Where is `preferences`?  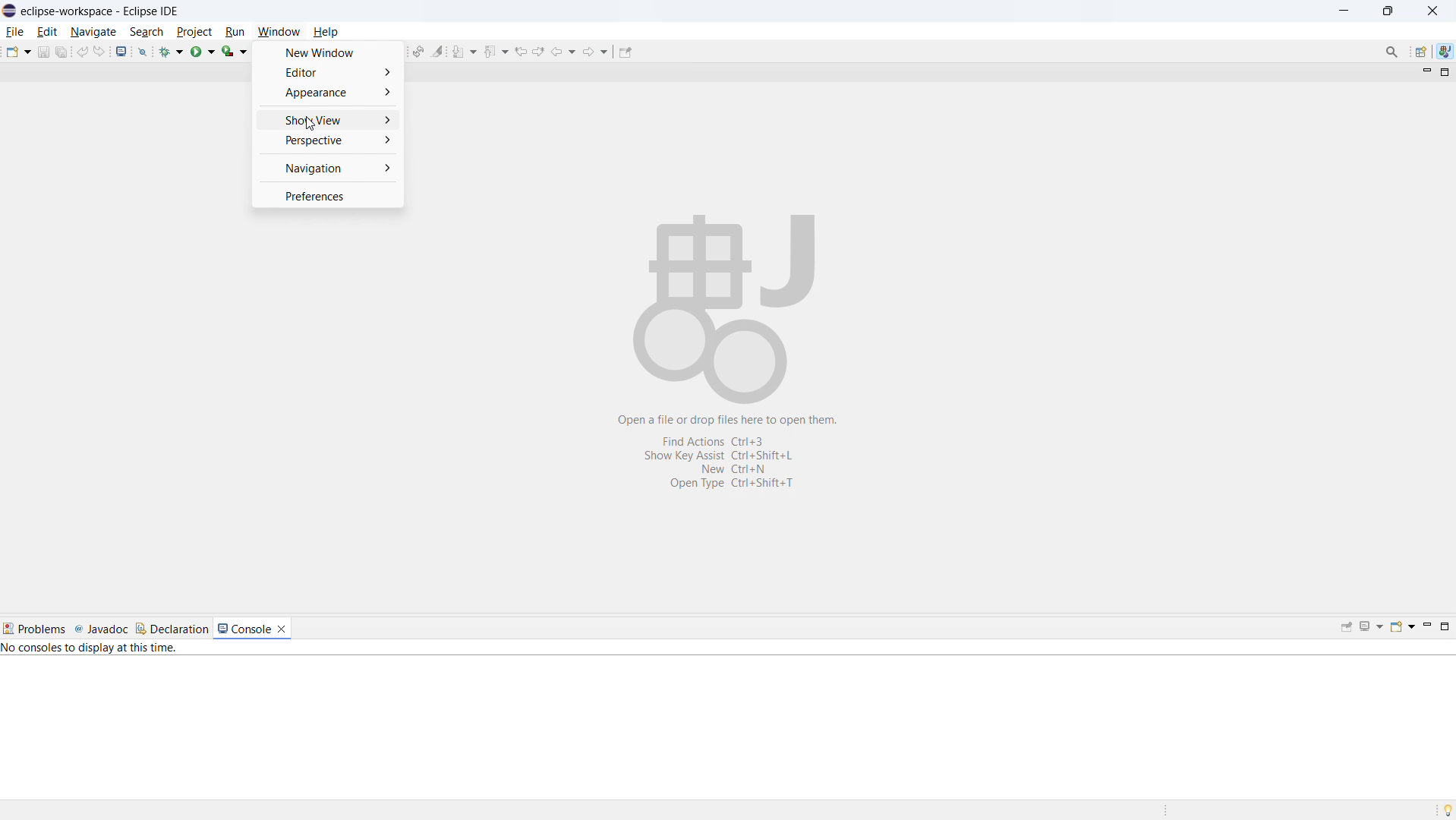 preferences is located at coordinates (328, 195).